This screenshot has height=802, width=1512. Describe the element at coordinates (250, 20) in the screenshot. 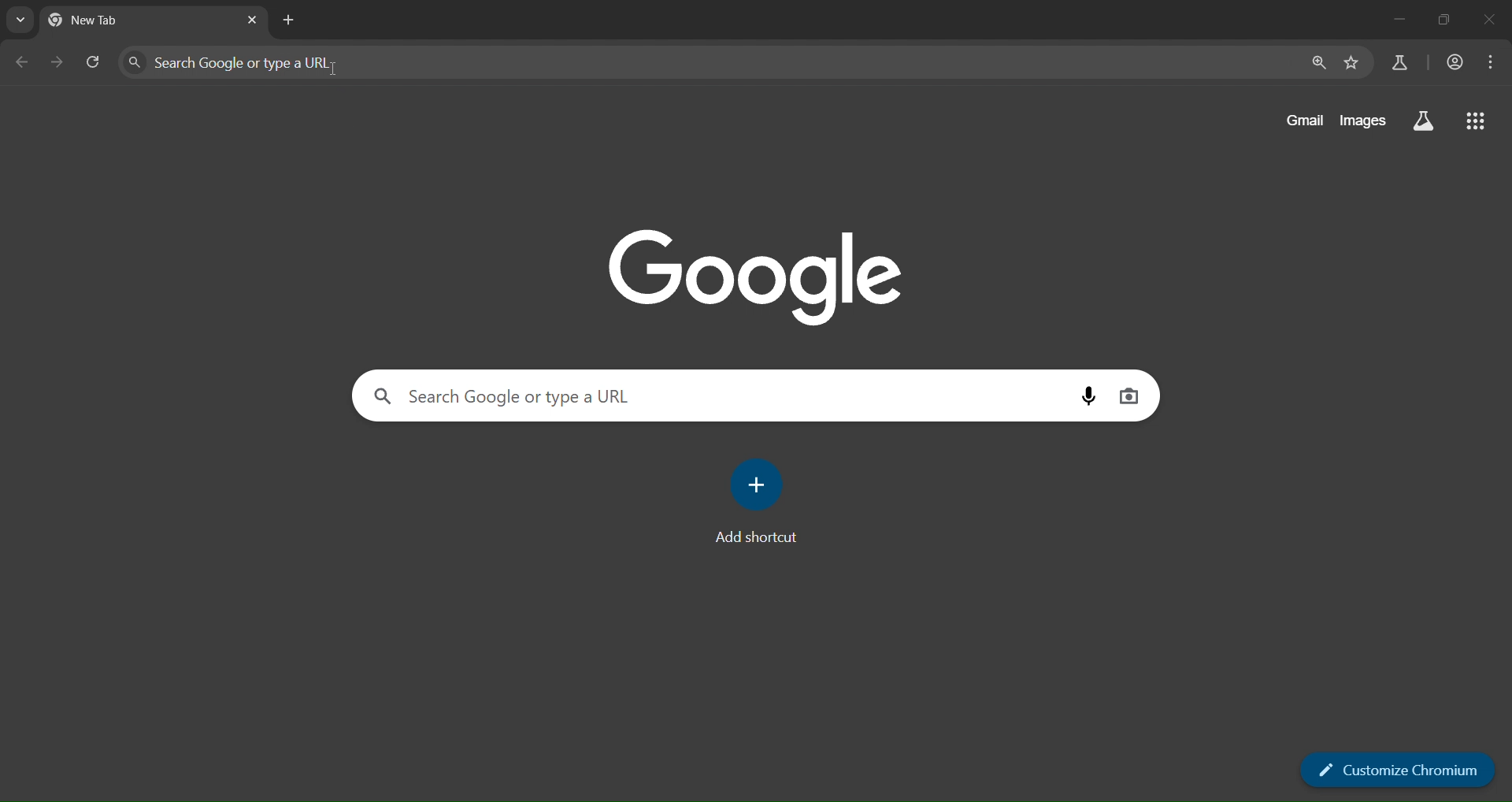

I see `close tab` at that location.